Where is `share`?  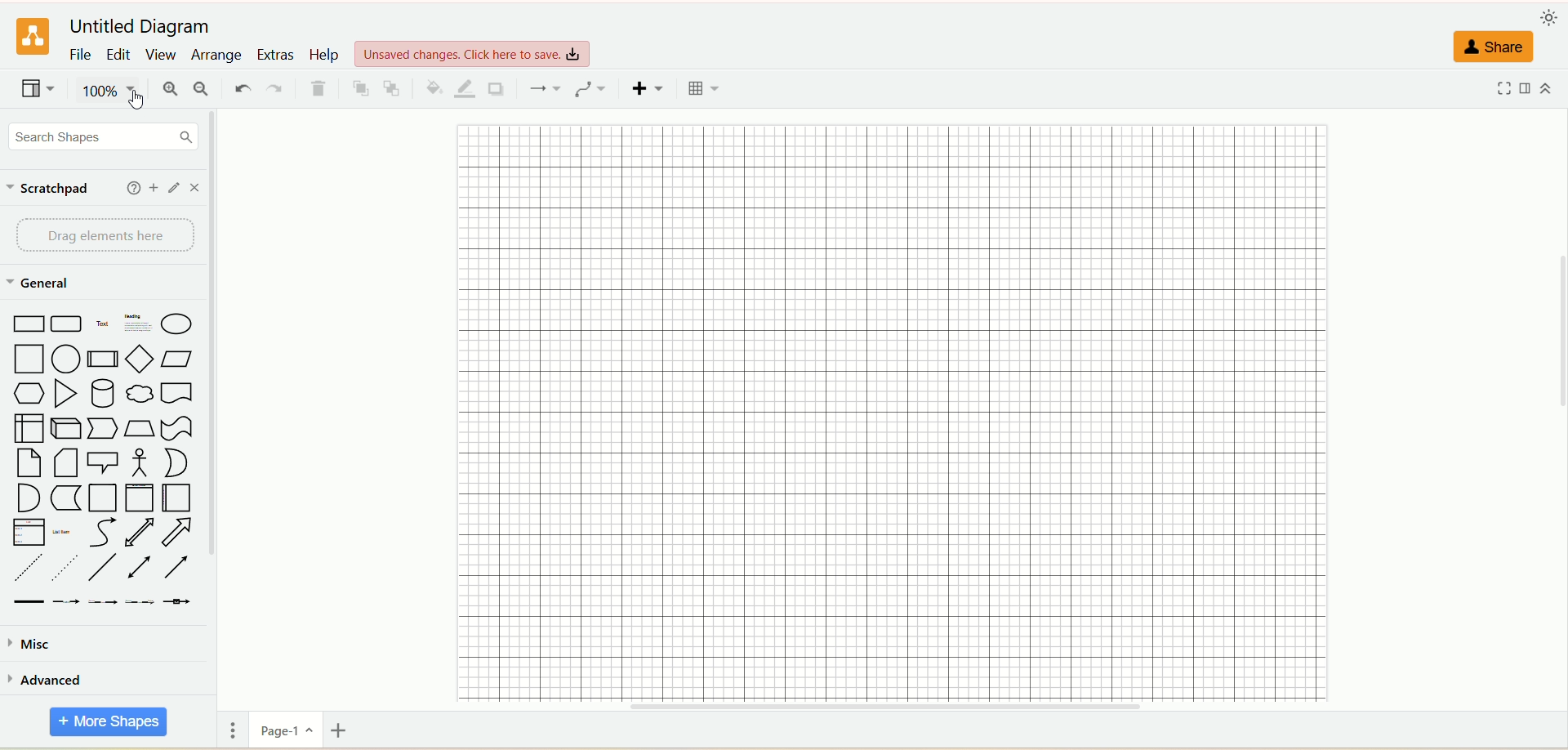
share is located at coordinates (1493, 47).